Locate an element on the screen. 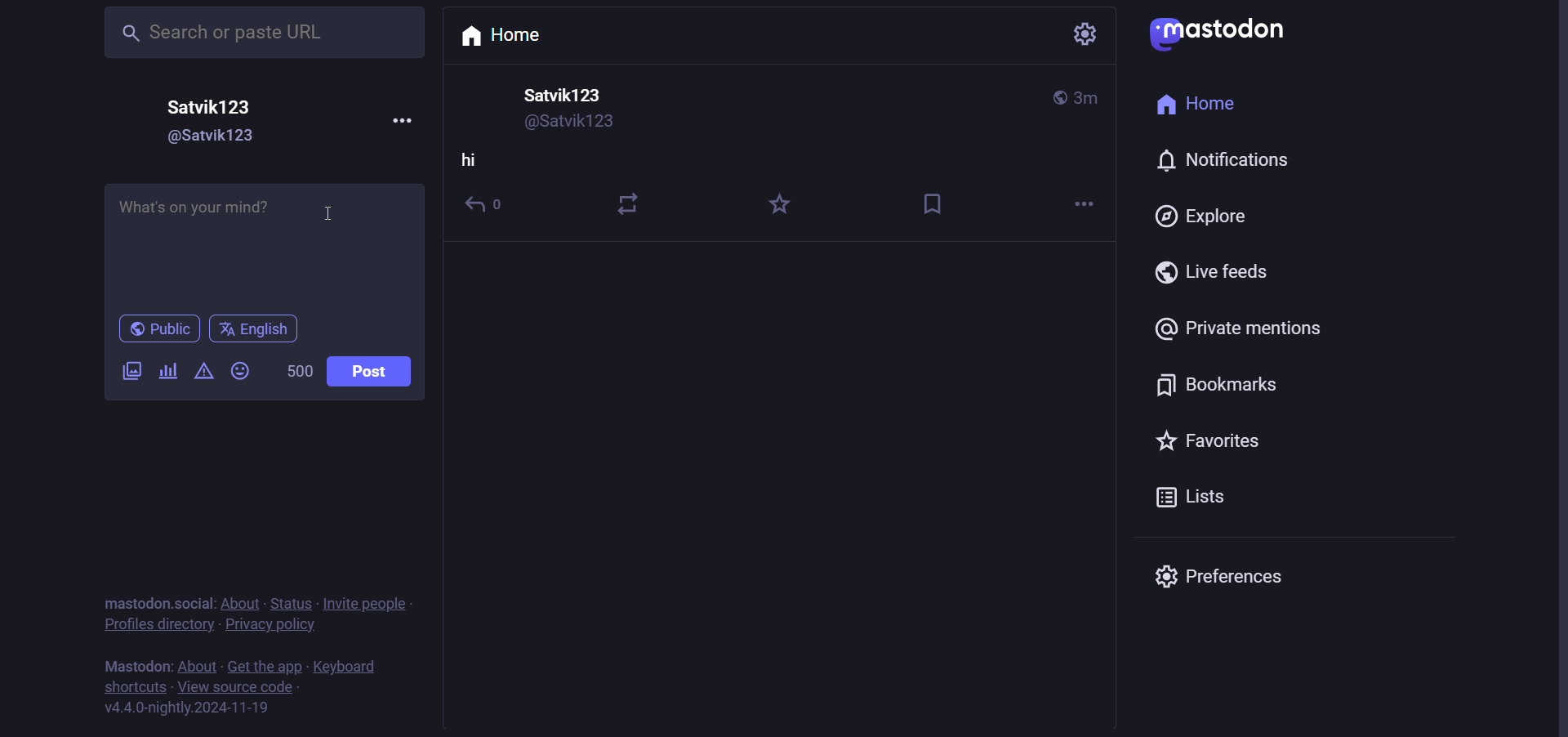 The image size is (1568, 737). version is located at coordinates (185, 708).